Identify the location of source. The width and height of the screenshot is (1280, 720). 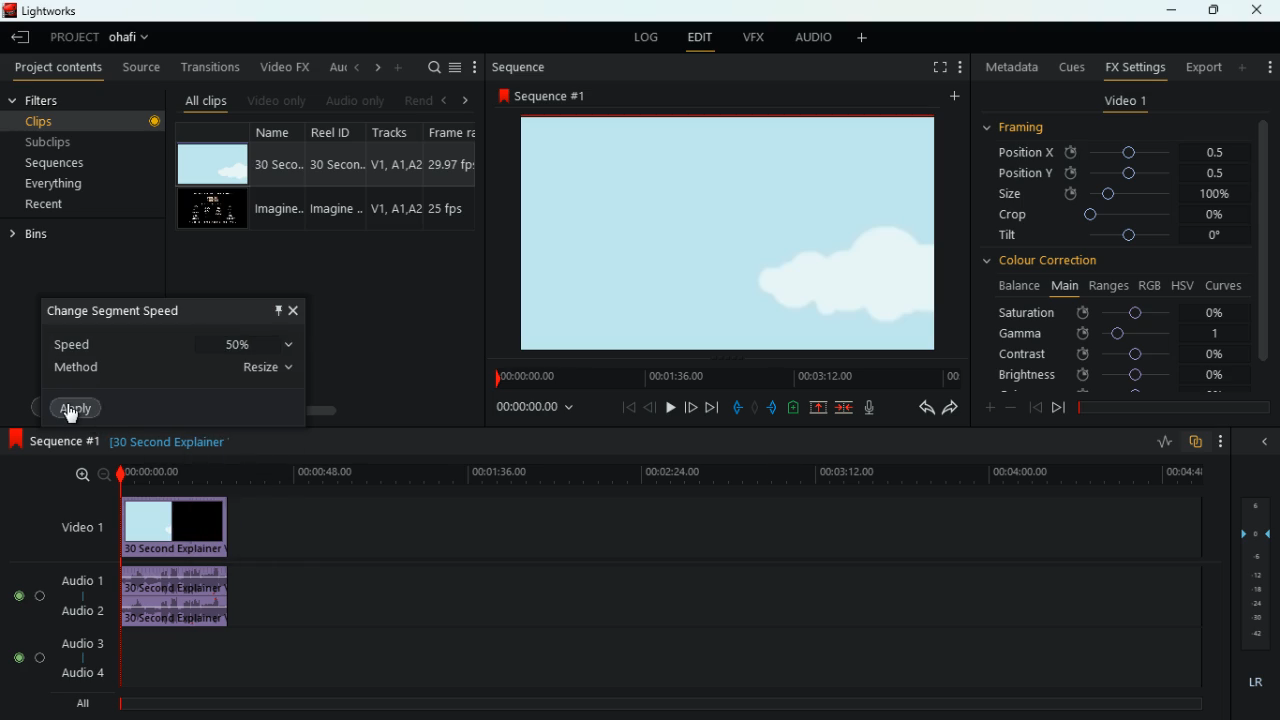
(141, 67).